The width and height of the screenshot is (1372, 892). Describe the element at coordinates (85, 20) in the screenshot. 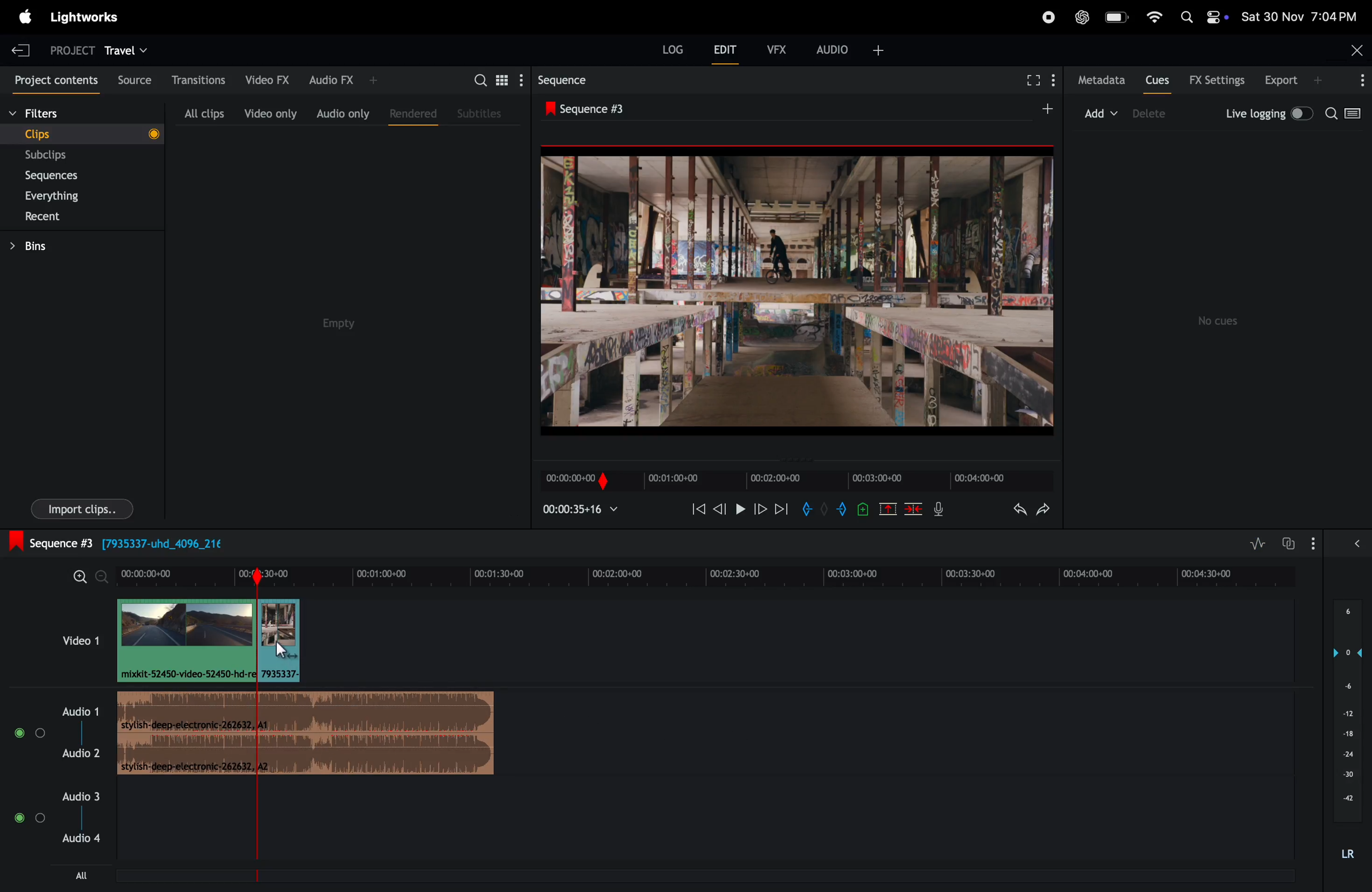

I see `light works` at that location.